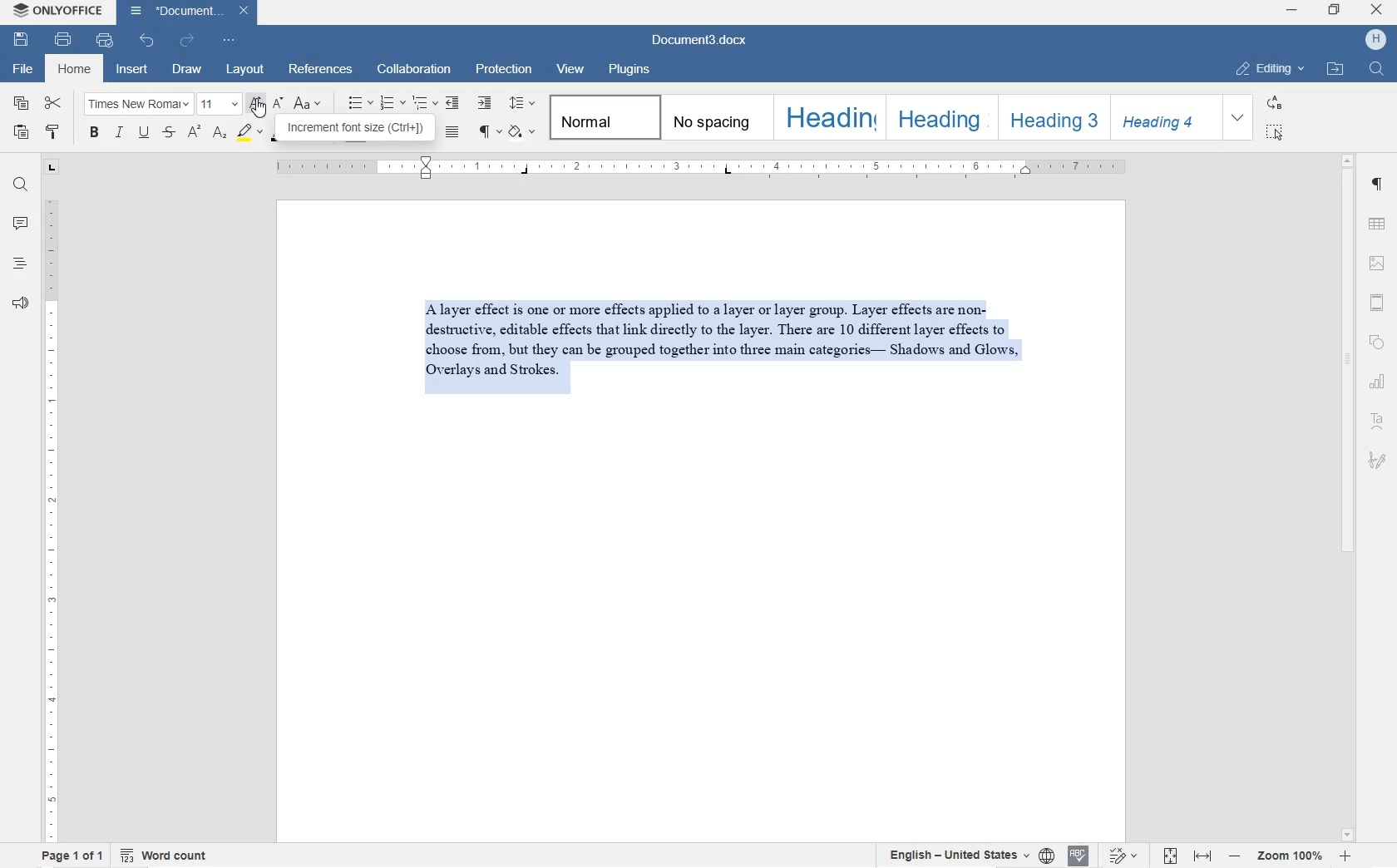 The width and height of the screenshot is (1397, 868). What do you see at coordinates (1077, 856) in the screenshot?
I see `spell check` at bounding box center [1077, 856].